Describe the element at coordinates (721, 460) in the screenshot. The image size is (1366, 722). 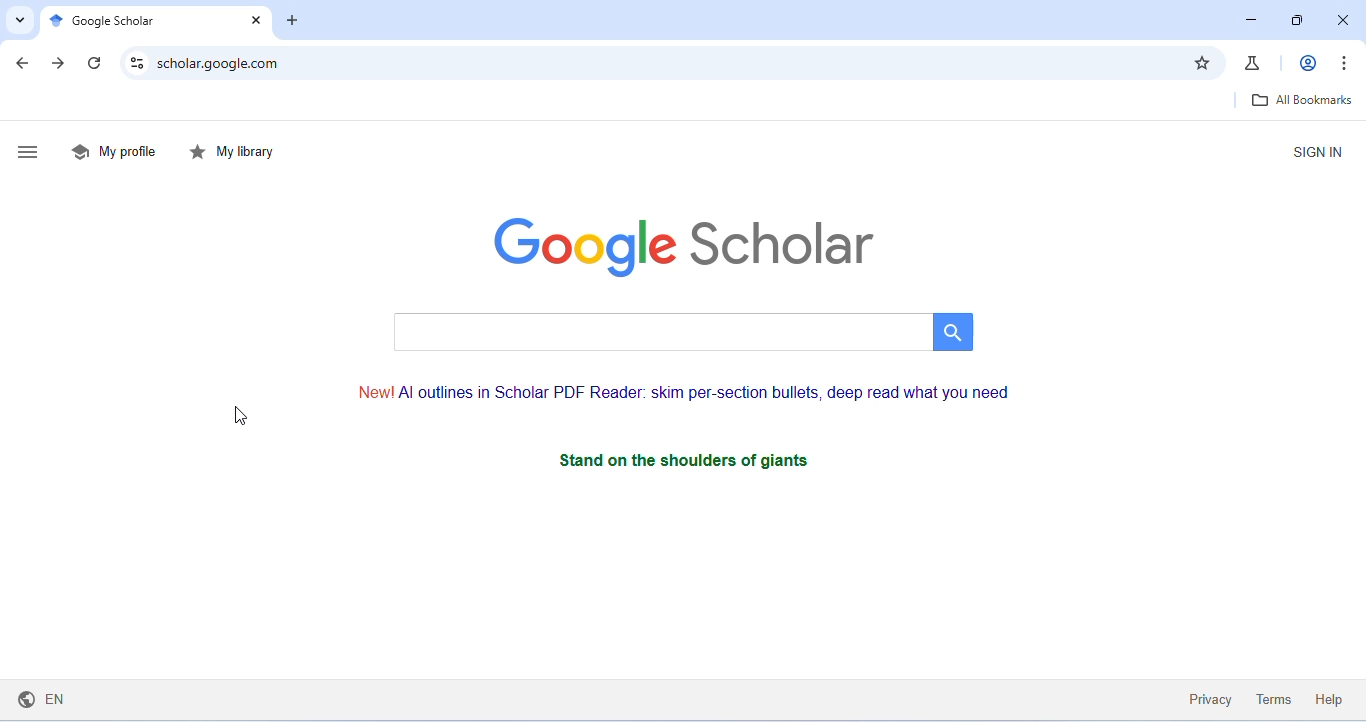
I see `stand on the shoulders of giants` at that location.